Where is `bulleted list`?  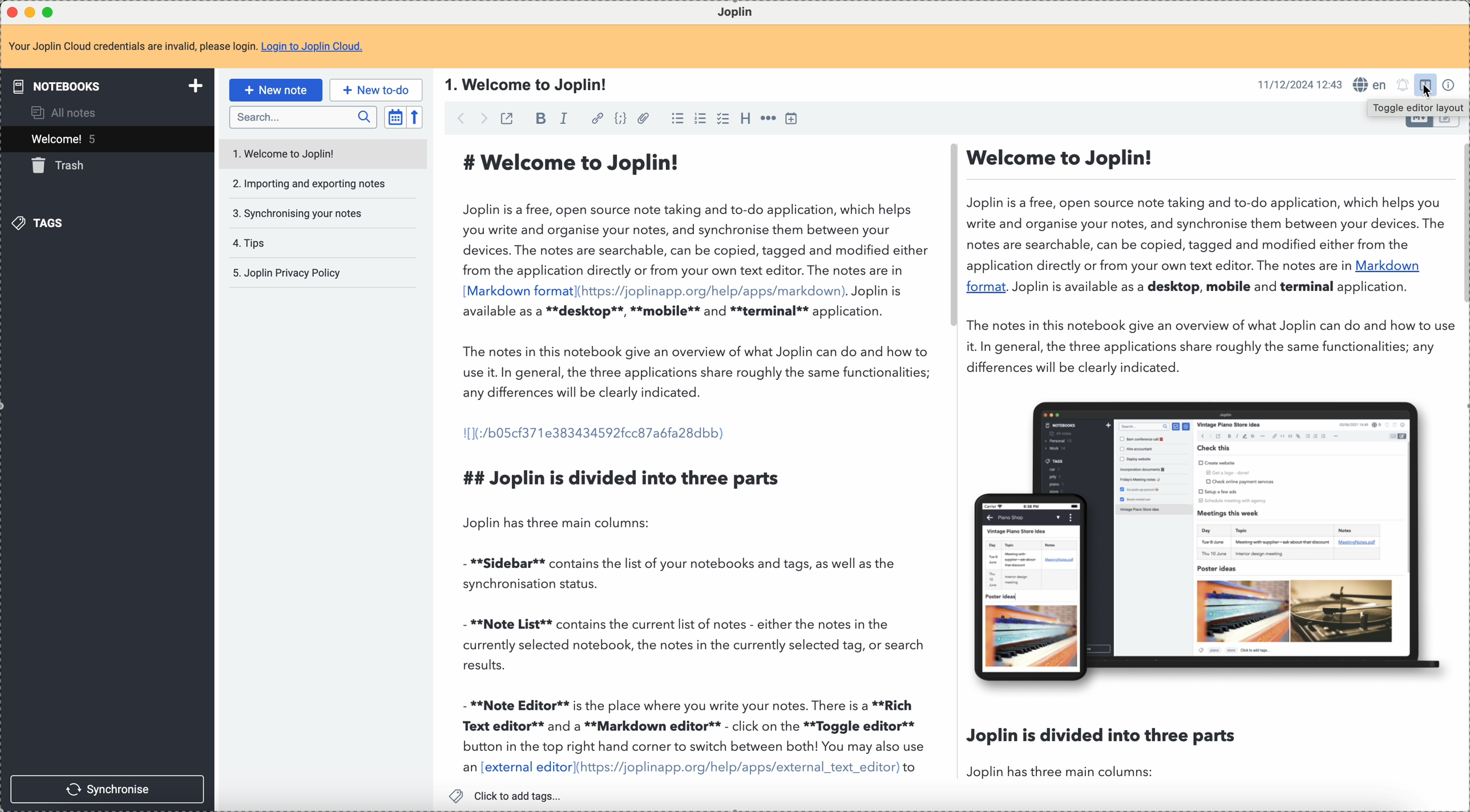 bulleted list is located at coordinates (676, 117).